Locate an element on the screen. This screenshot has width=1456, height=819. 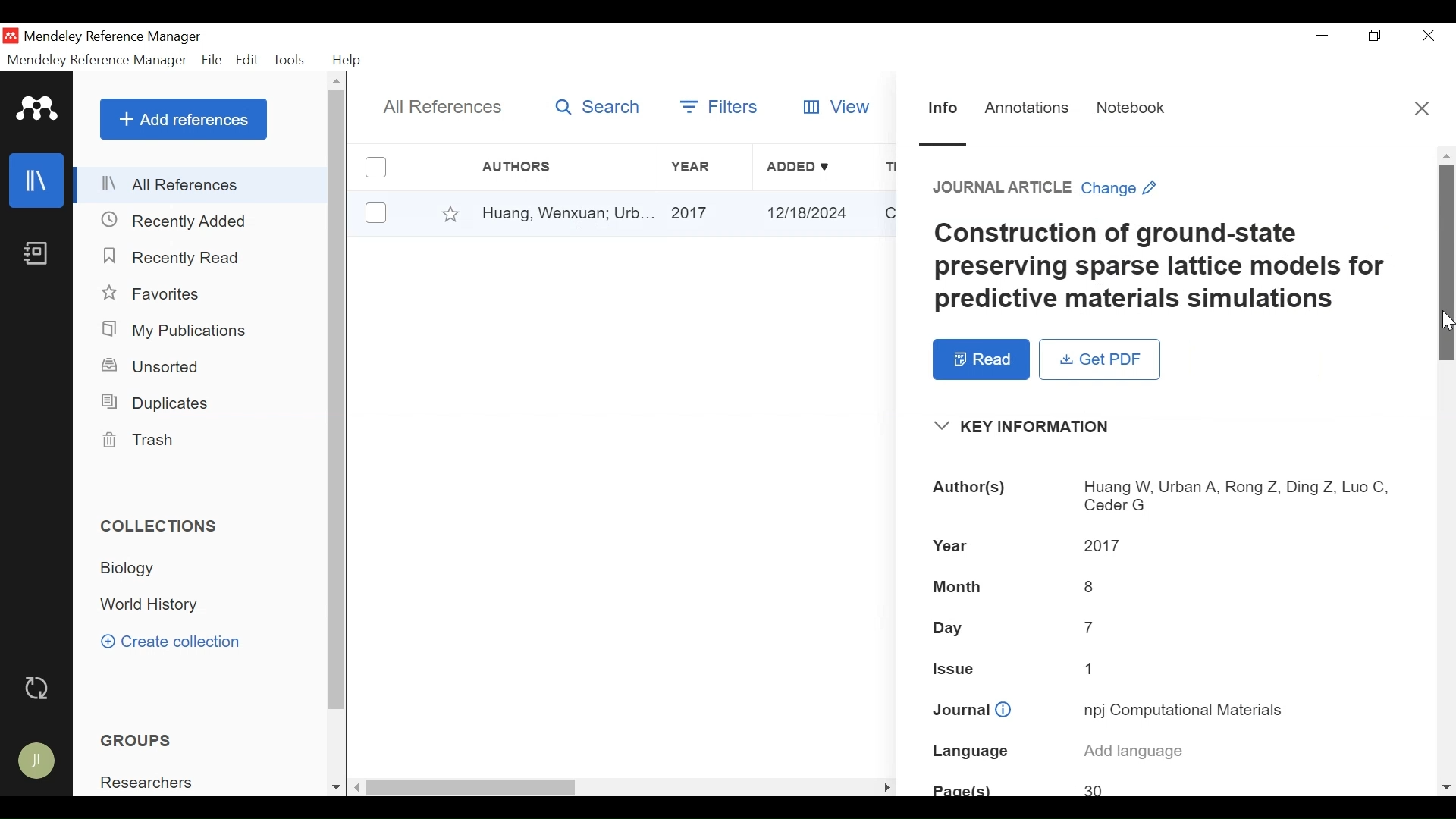
Vertical Scroll bar is located at coordinates (472, 788).